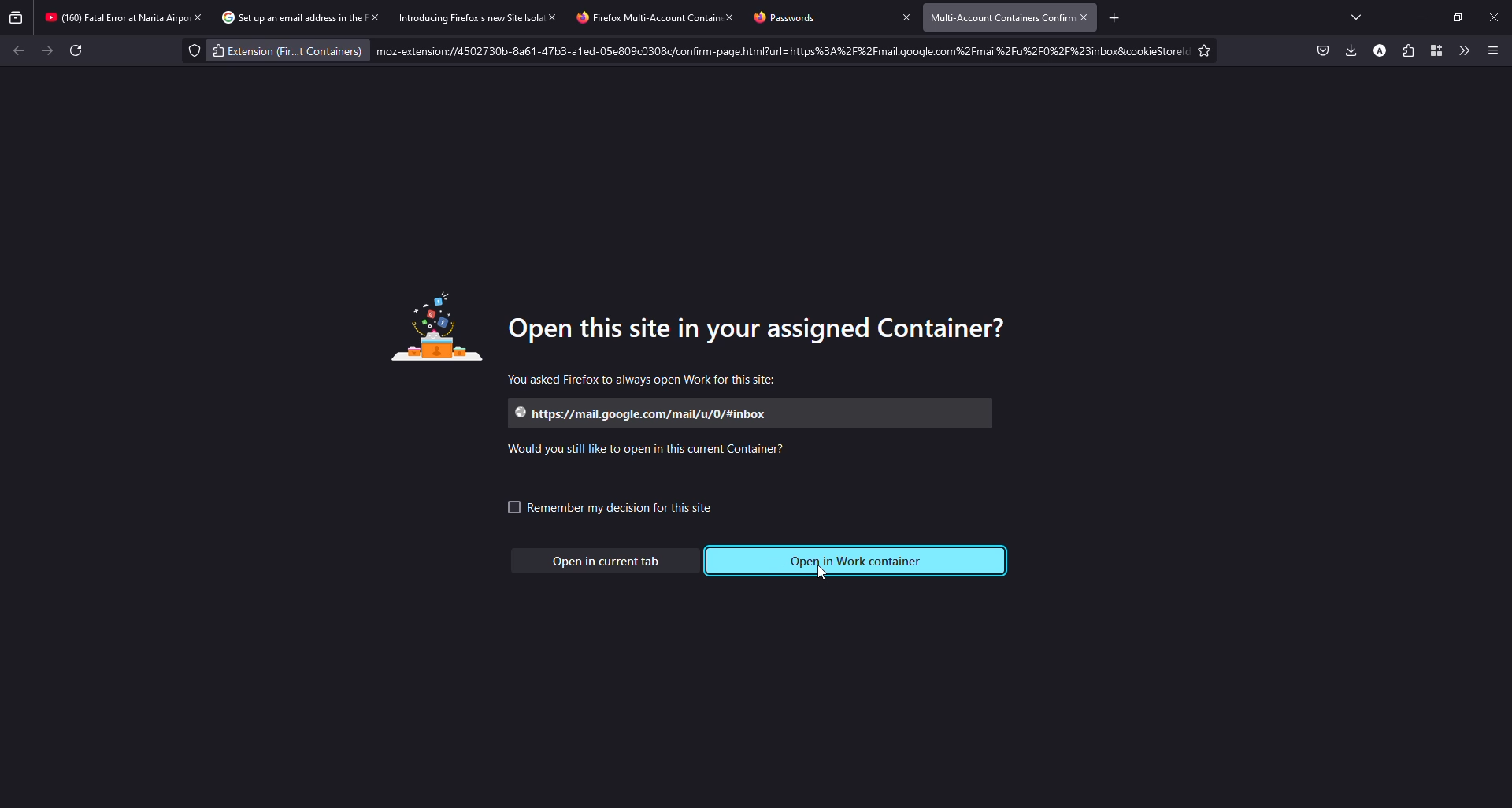  What do you see at coordinates (1205, 50) in the screenshot?
I see `Favorite` at bounding box center [1205, 50].